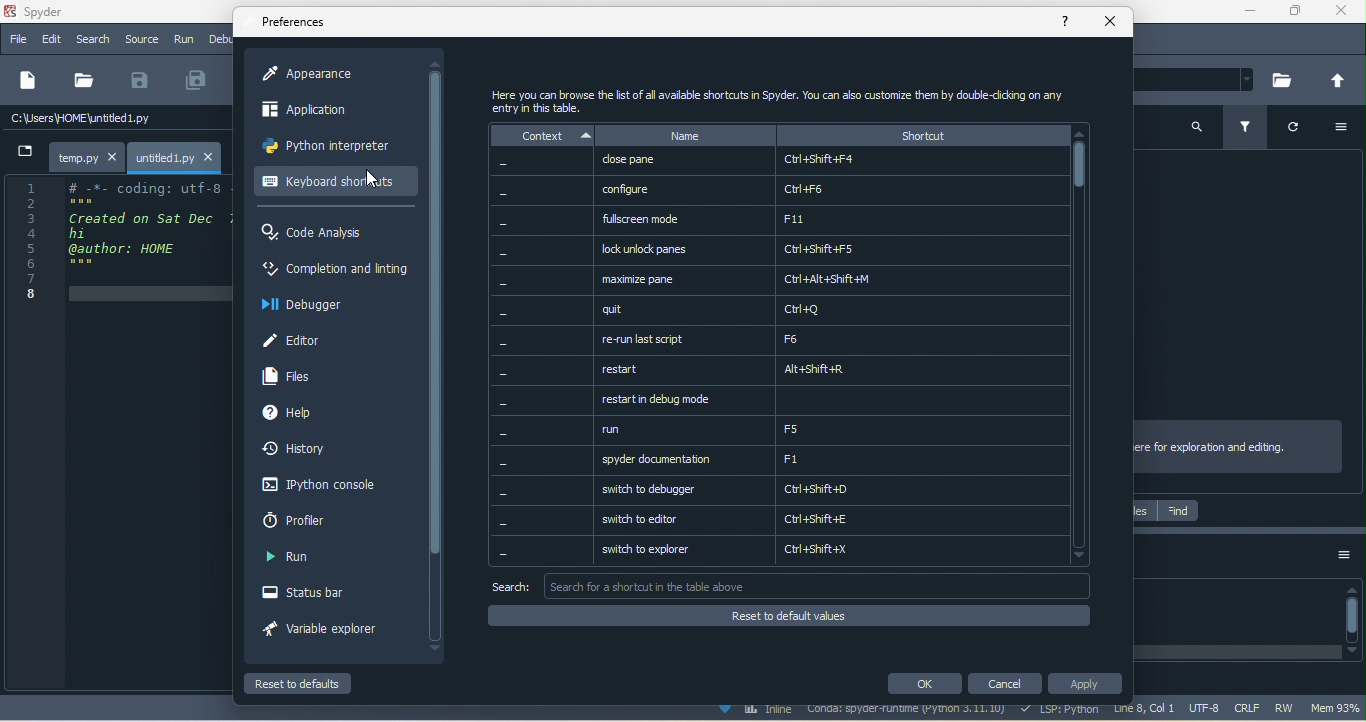 The height and width of the screenshot is (722, 1366). I want to click on run, so click(298, 559).